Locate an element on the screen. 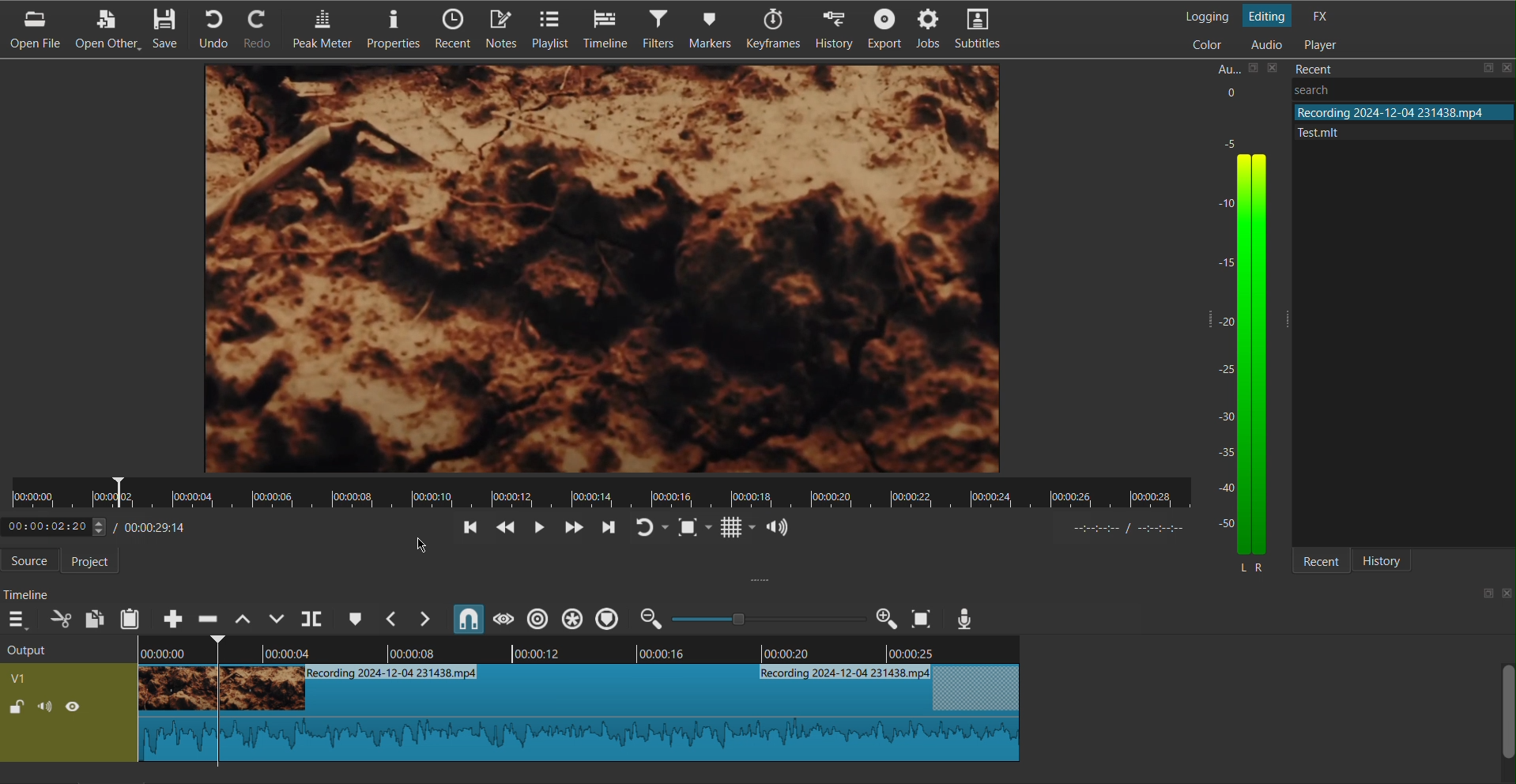  (un)mute is located at coordinates (47, 705).